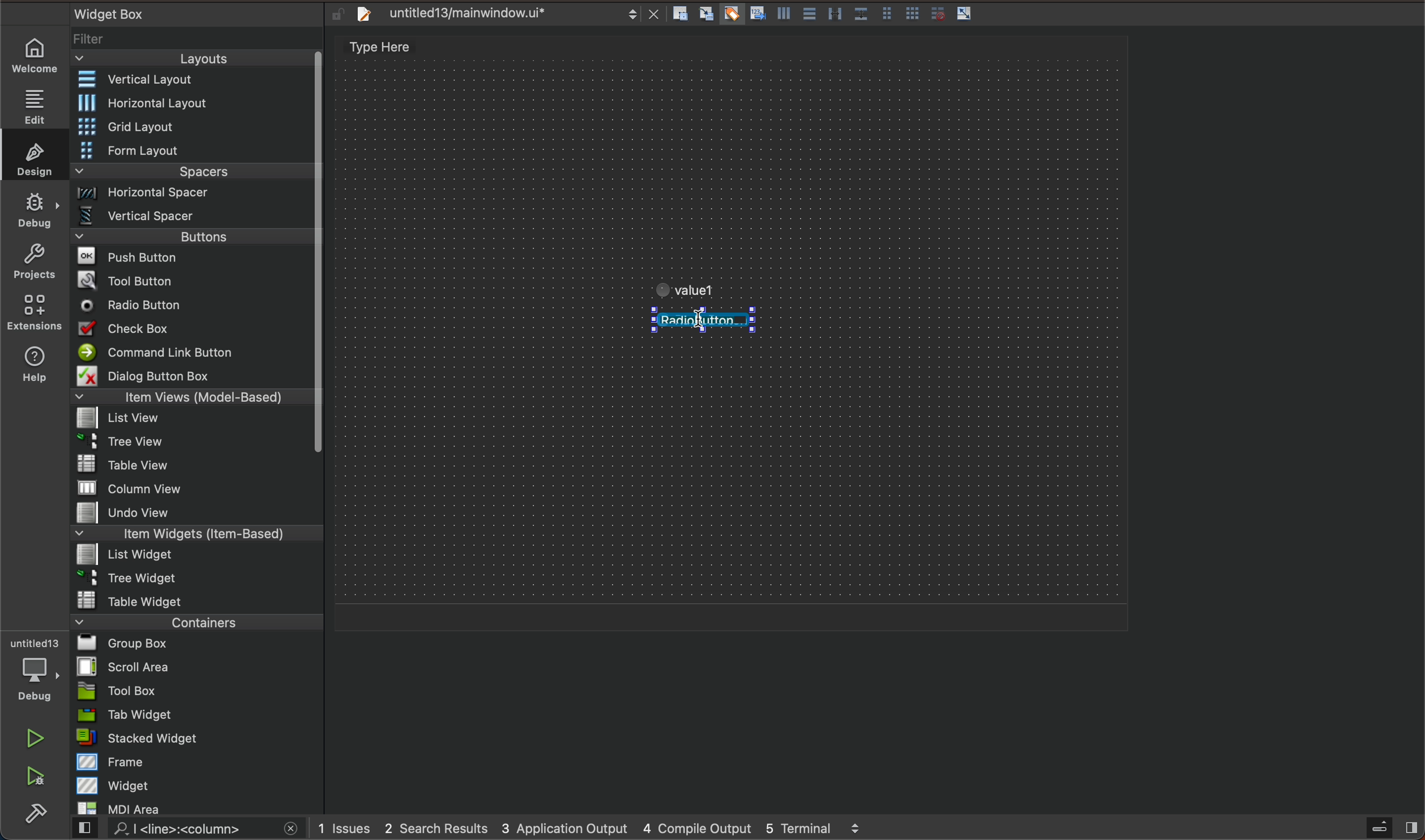 Image resolution: width=1425 pixels, height=840 pixels. What do you see at coordinates (199, 714) in the screenshot?
I see `tab` at bounding box center [199, 714].